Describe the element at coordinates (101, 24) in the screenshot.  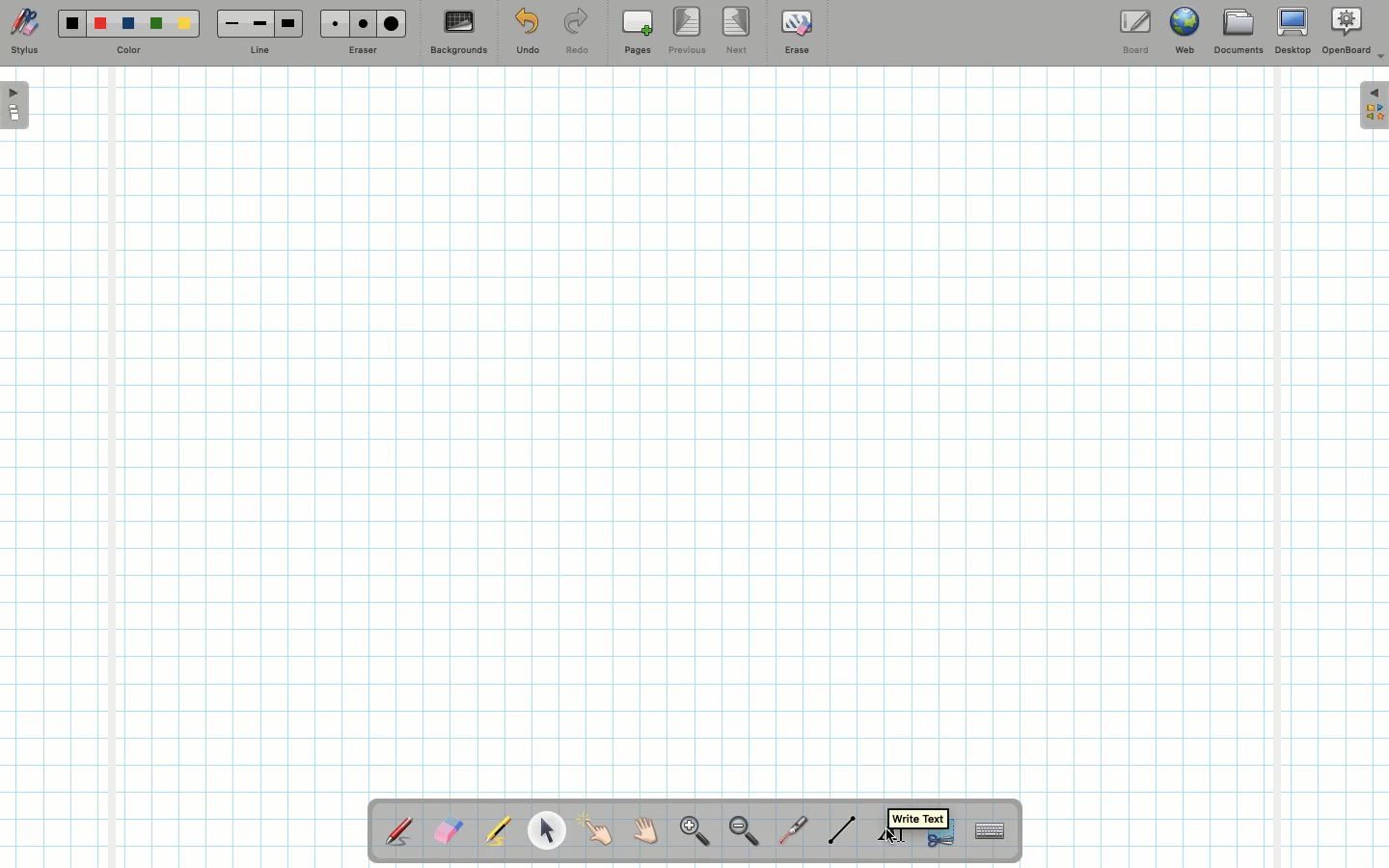
I see `Red` at that location.